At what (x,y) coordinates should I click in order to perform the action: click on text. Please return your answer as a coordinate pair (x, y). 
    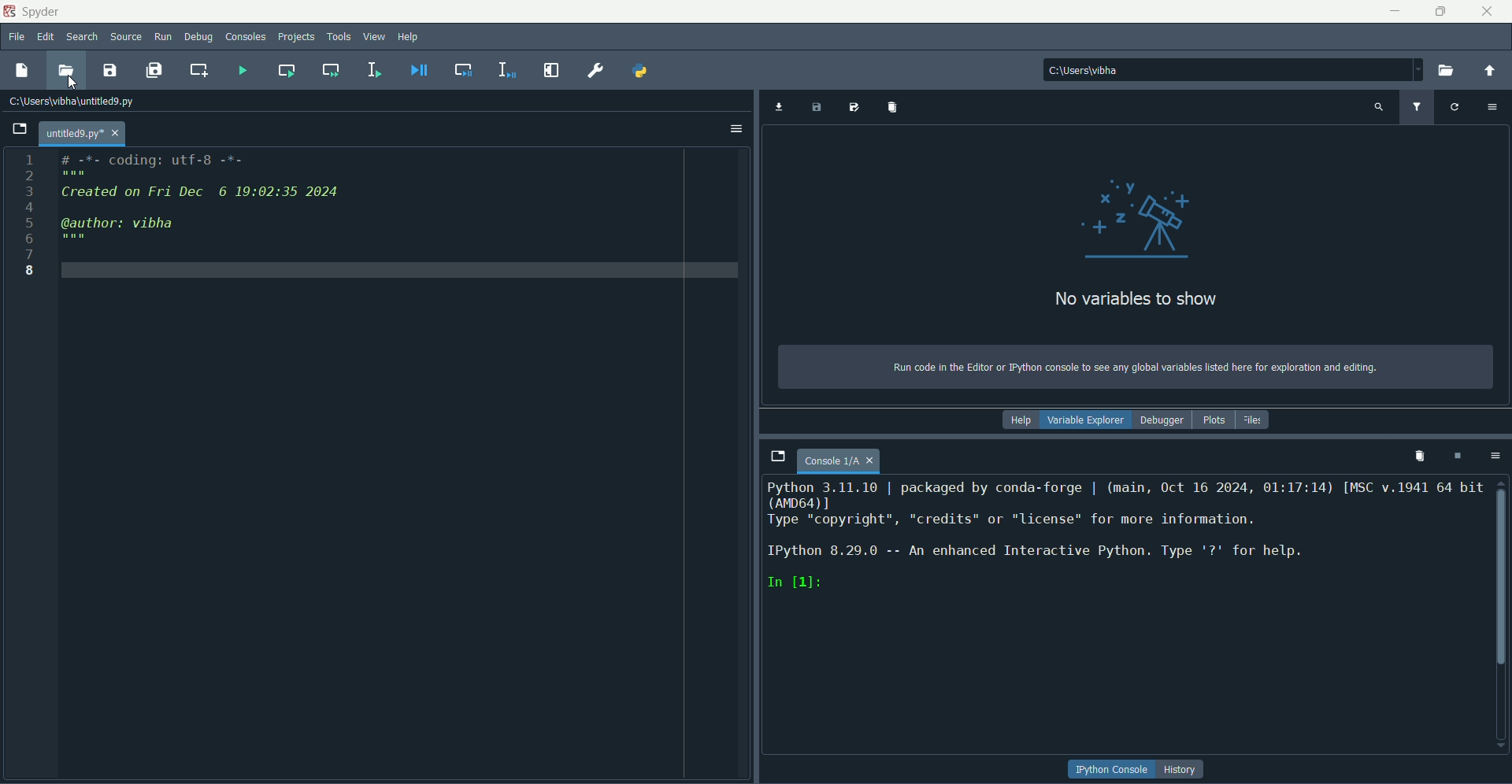
    Looking at the image, I should click on (1133, 368).